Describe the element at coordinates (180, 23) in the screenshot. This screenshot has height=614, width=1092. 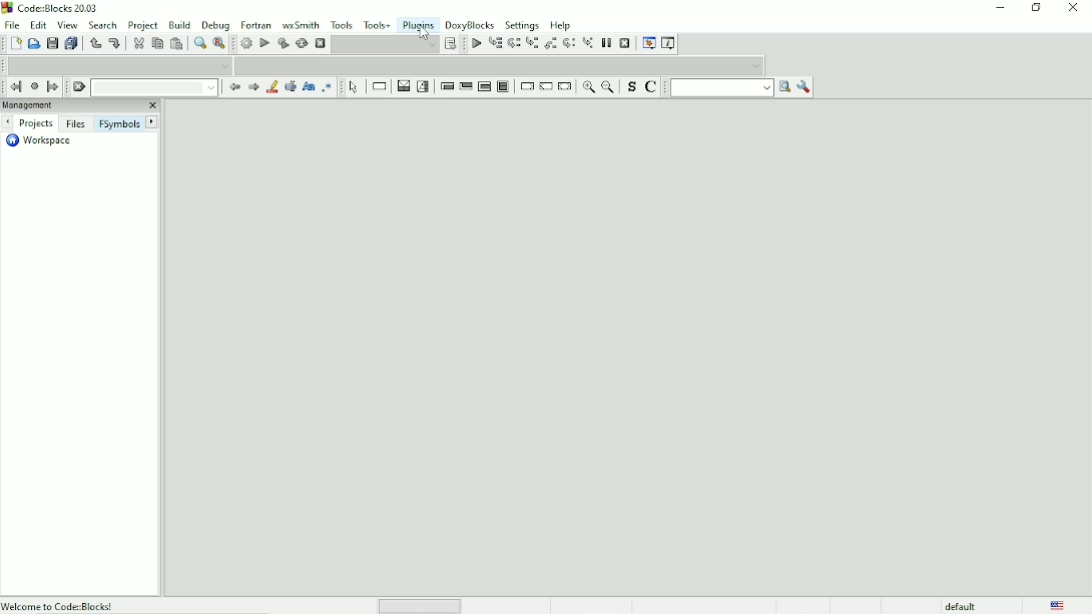
I see `Build` at that location.